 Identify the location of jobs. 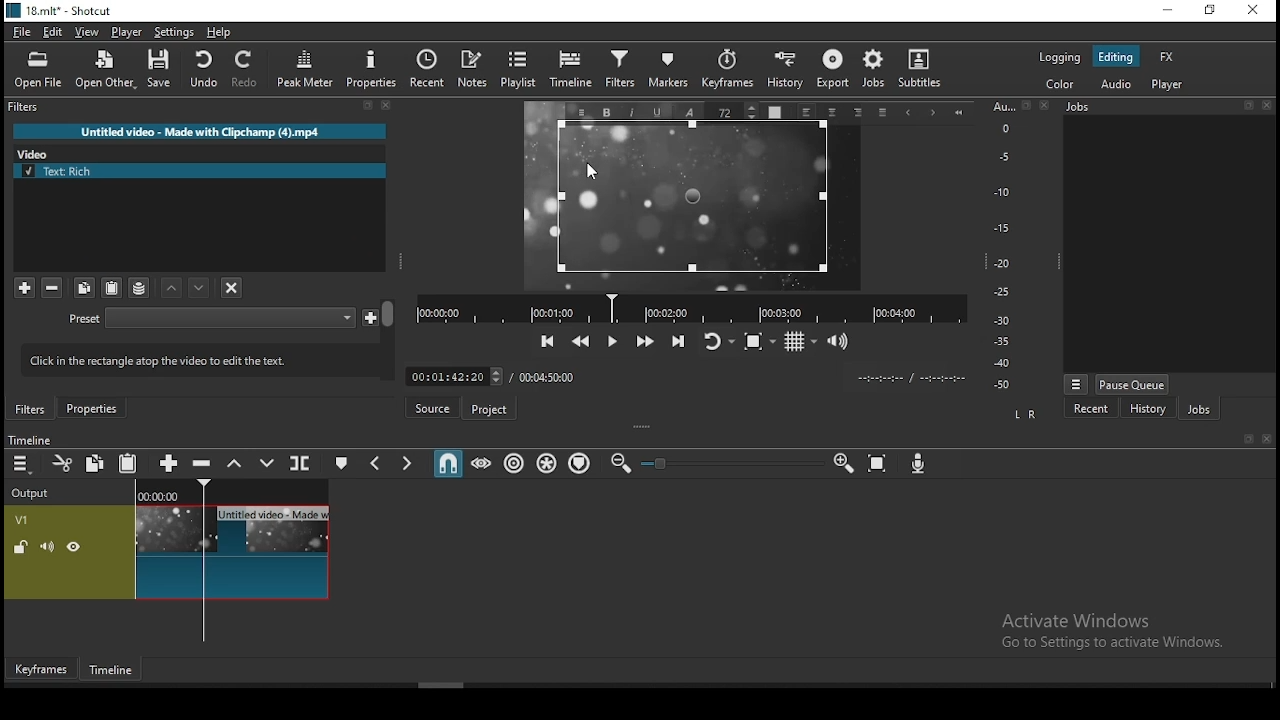
(875, 70).